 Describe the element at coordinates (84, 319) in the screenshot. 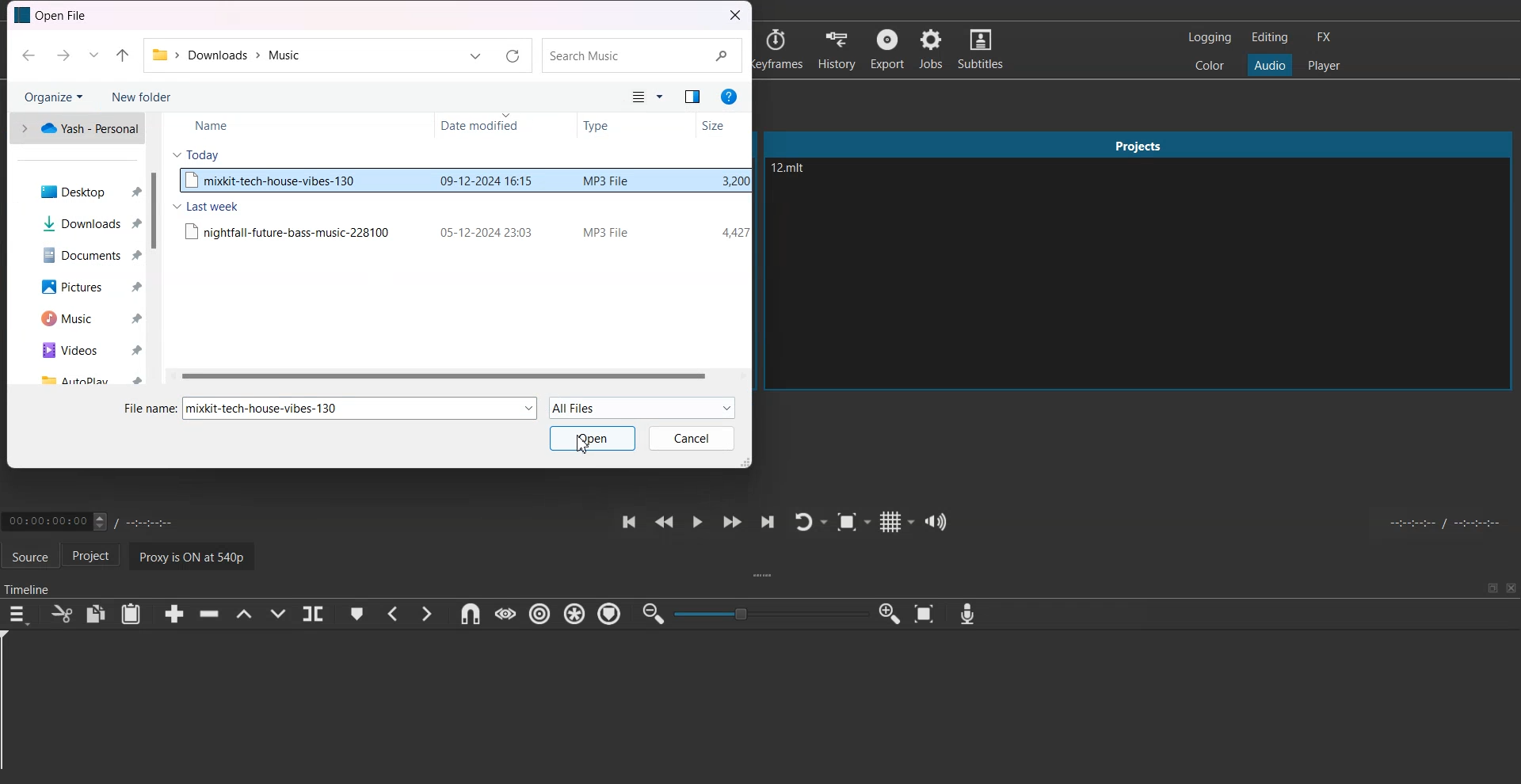

I see `Music` at that location.